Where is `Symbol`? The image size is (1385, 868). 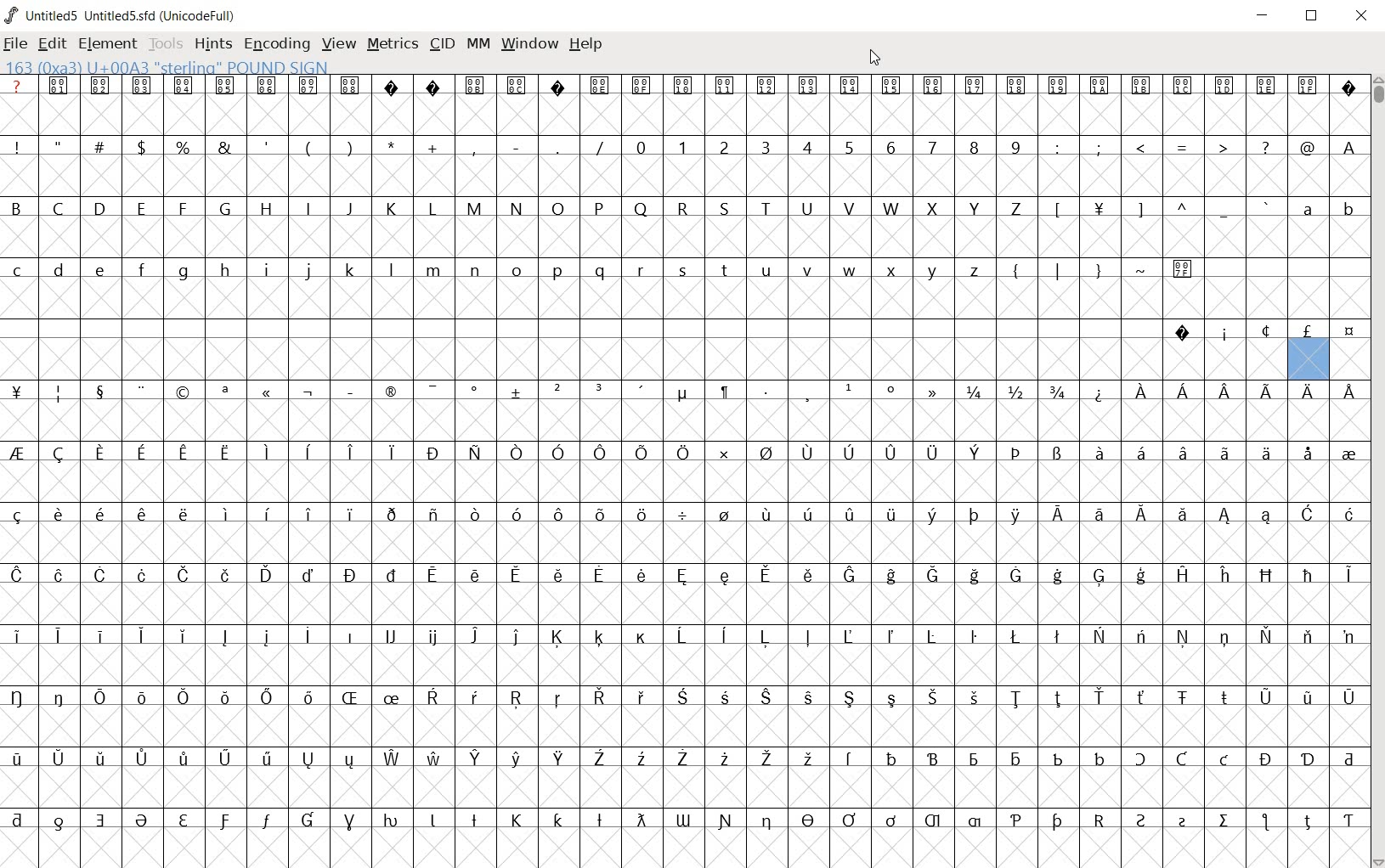
Symbol is located at coordinates (59, 392).